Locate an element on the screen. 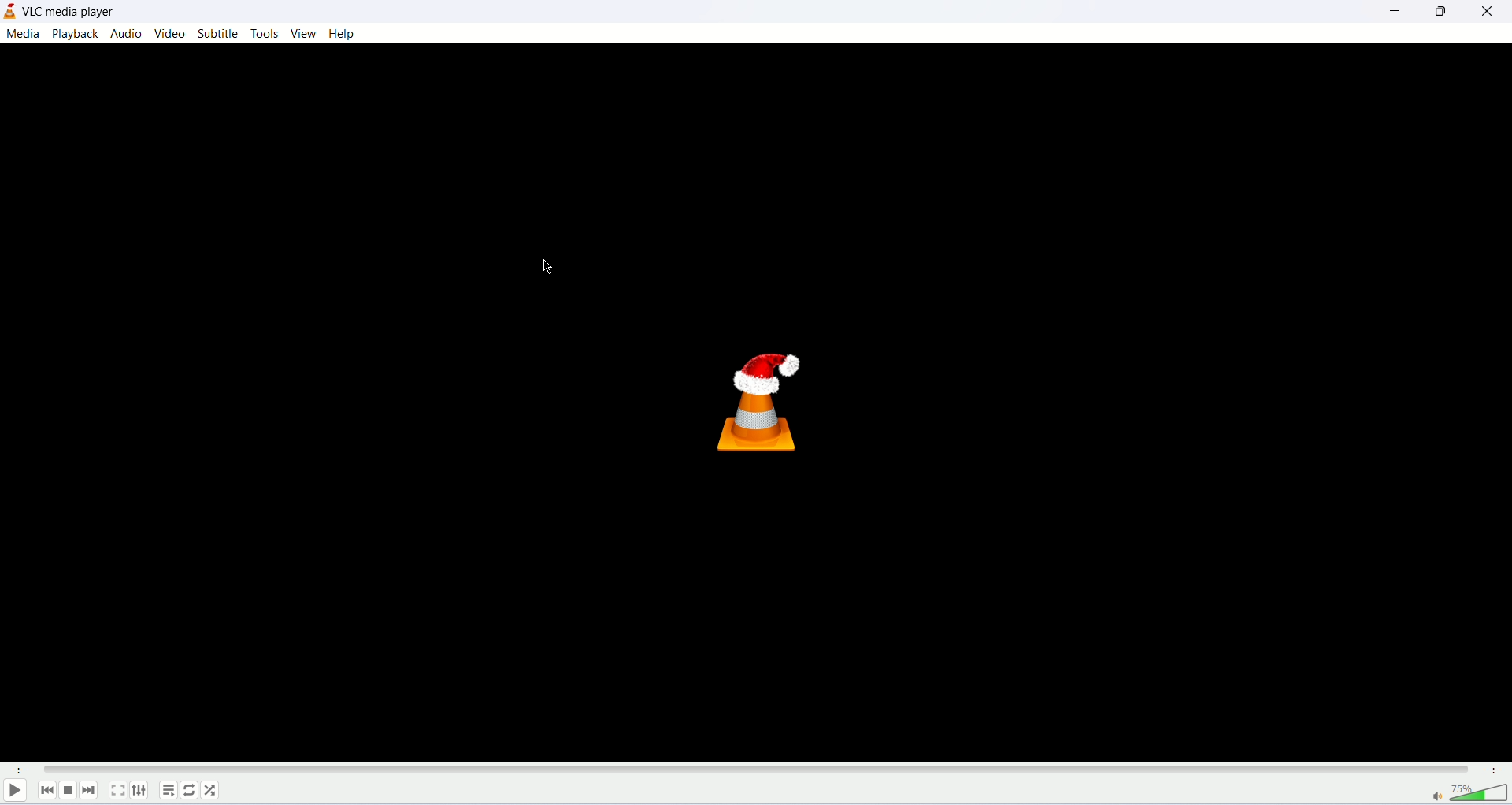 Image resolution: width=1512 pixels, height=805 pixels. HELP is located at coordinates (343, 34).